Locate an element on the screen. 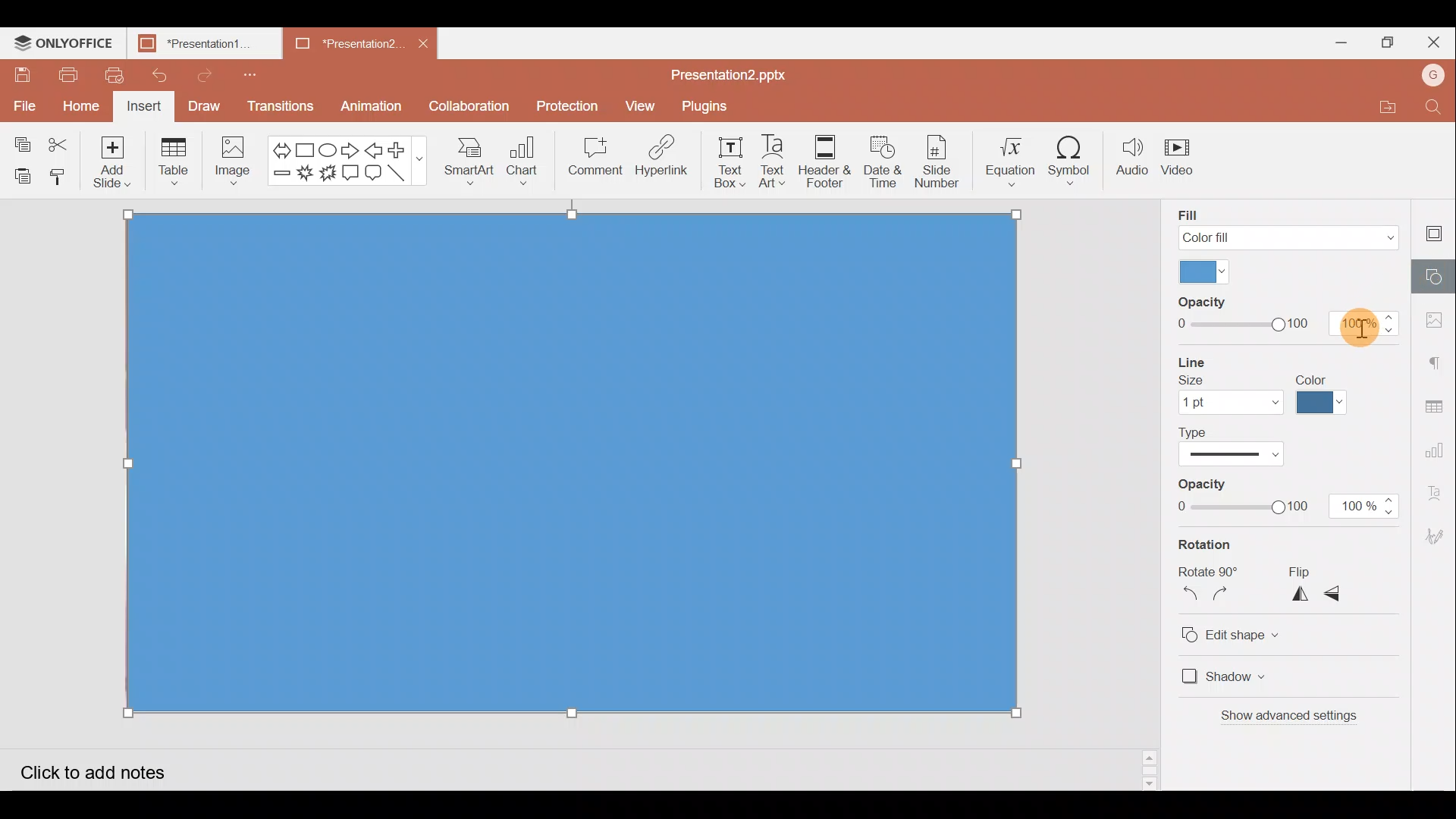 This screenshot has height=819, width=1456. File is located at coordinates (23, 102).